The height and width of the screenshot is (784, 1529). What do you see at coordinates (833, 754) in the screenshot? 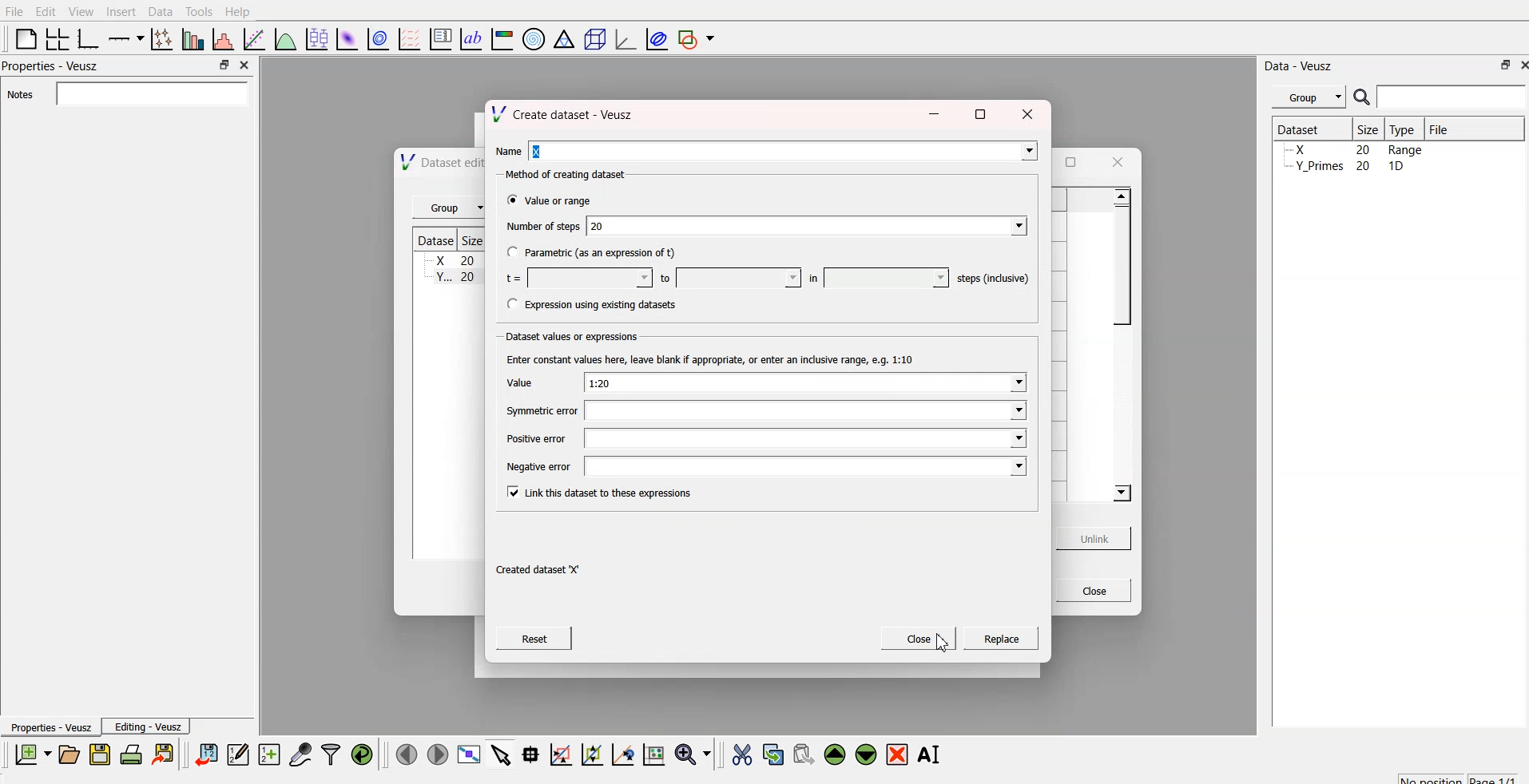
I see `move up the widget` at bounding box center [833, 754].